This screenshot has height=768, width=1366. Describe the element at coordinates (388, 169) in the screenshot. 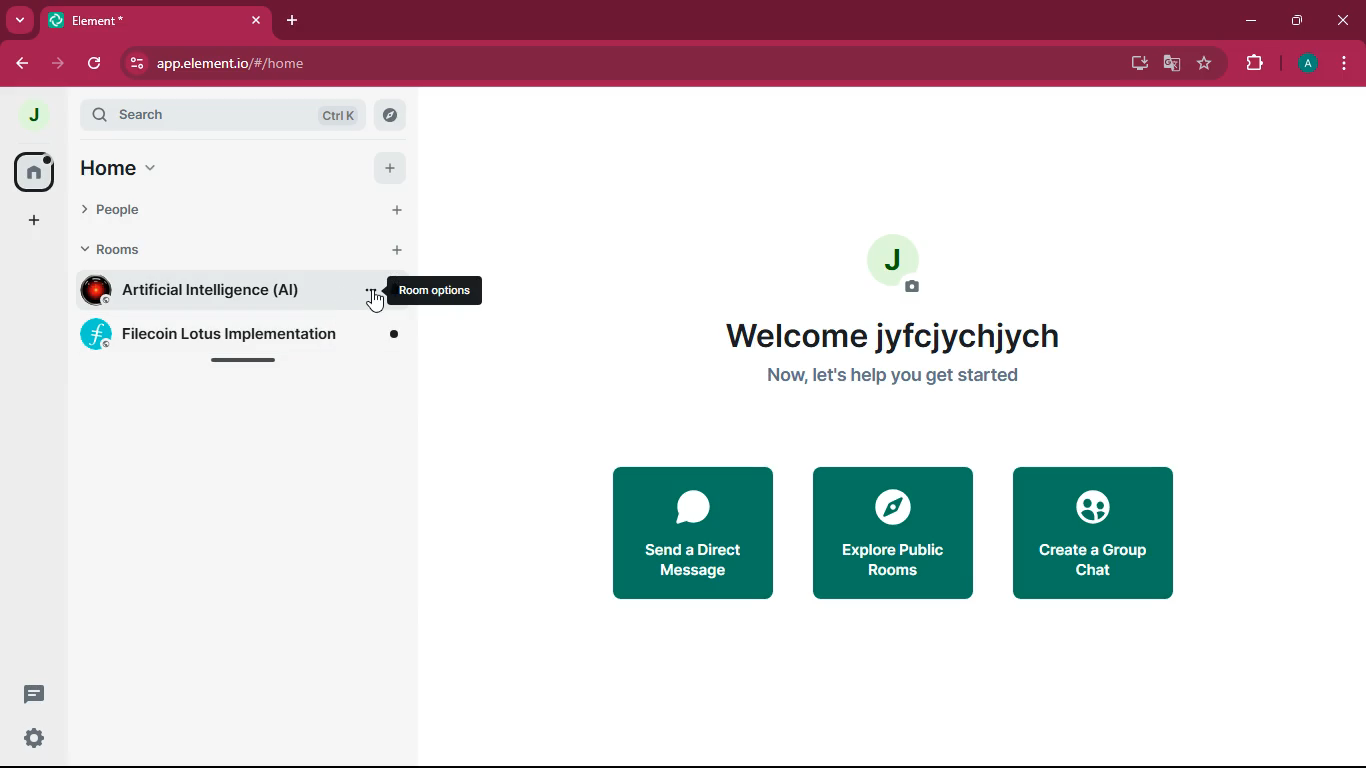

I see `add` at that location.